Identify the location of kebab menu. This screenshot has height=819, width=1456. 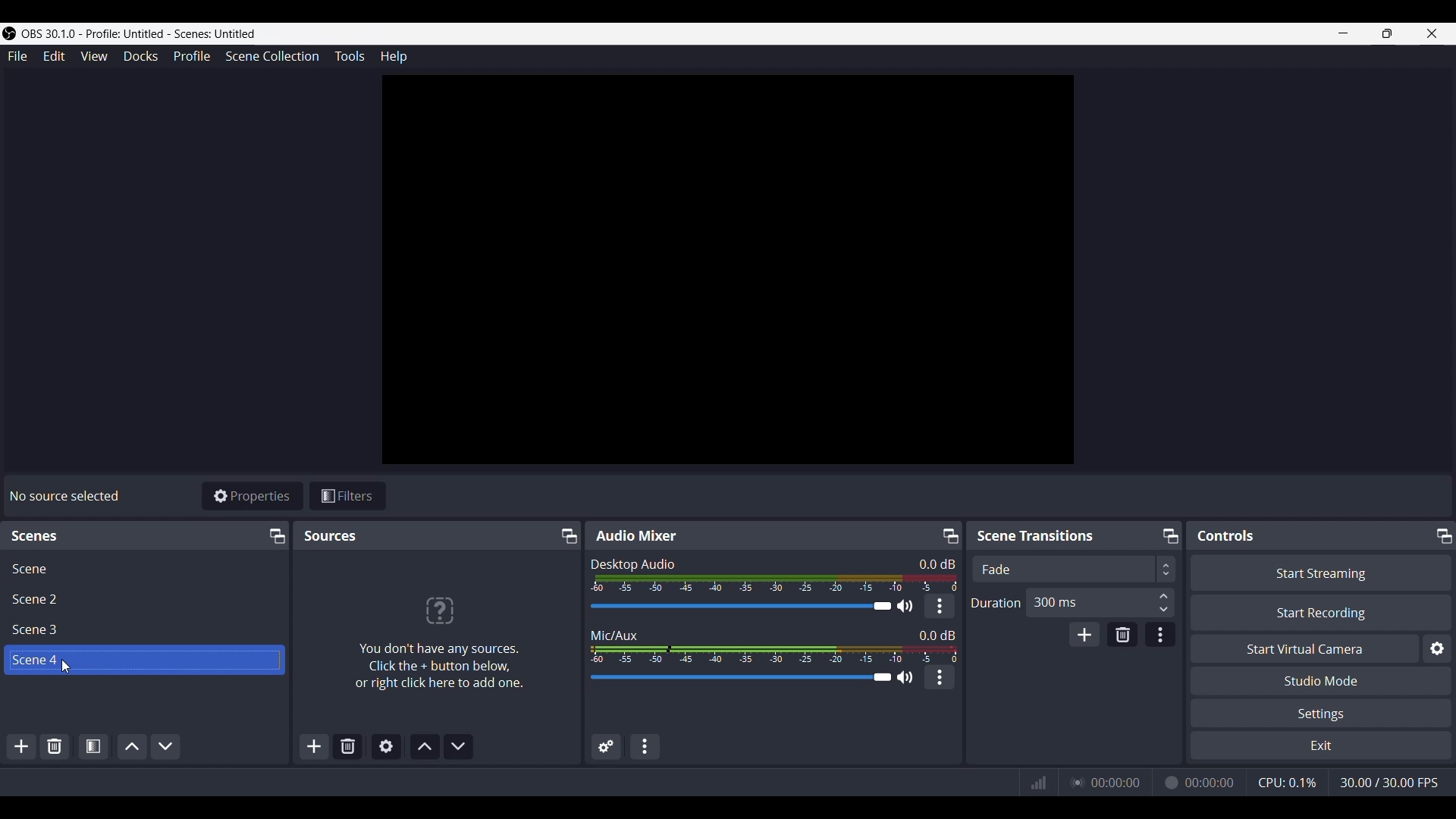
(940, 677).